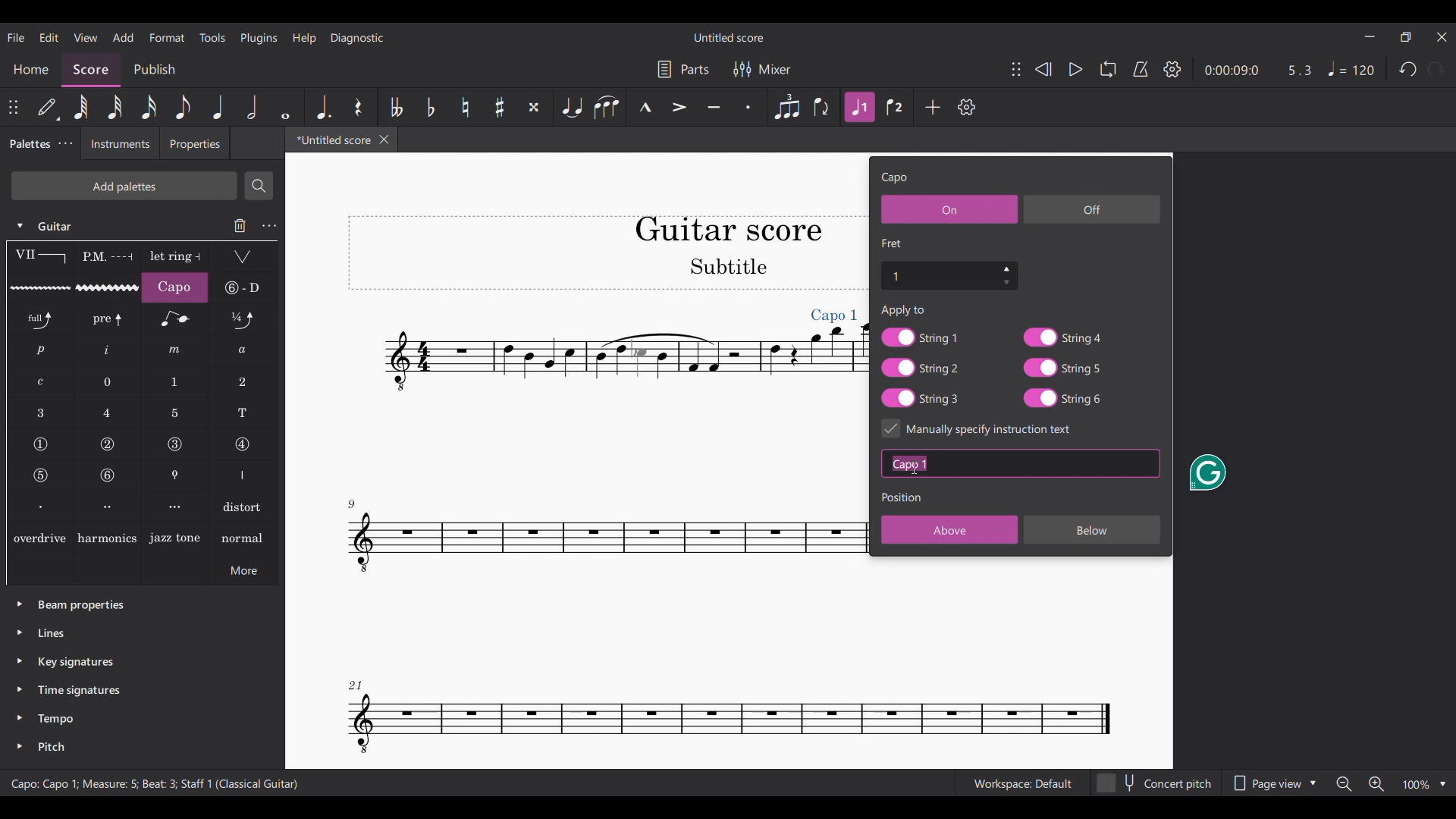  I want to click on File menu, so click(17, 37).